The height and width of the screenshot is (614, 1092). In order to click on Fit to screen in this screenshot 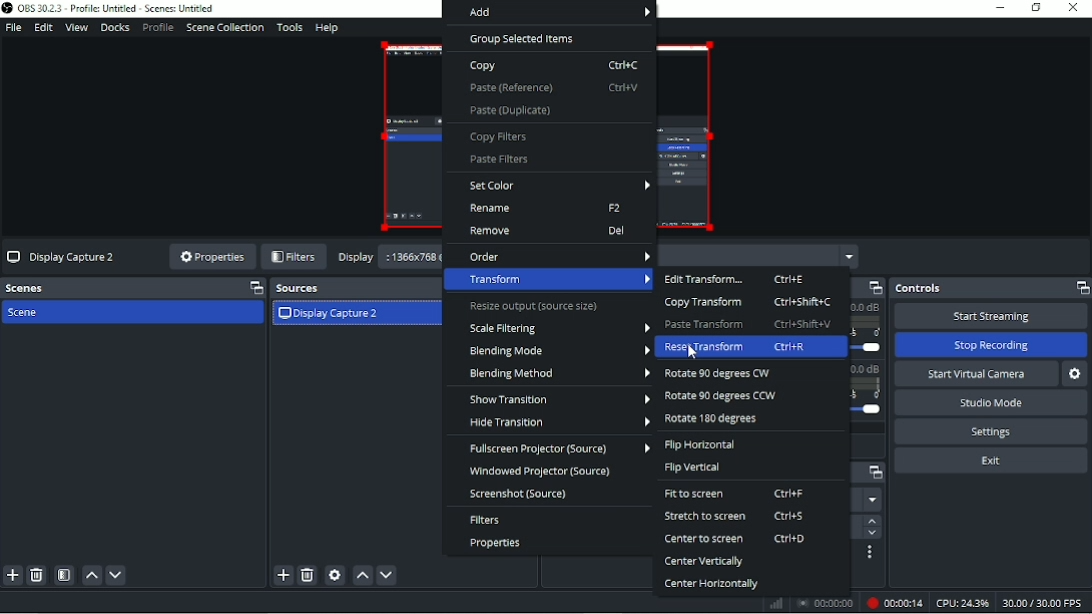, I will do `click(737, 494)`.